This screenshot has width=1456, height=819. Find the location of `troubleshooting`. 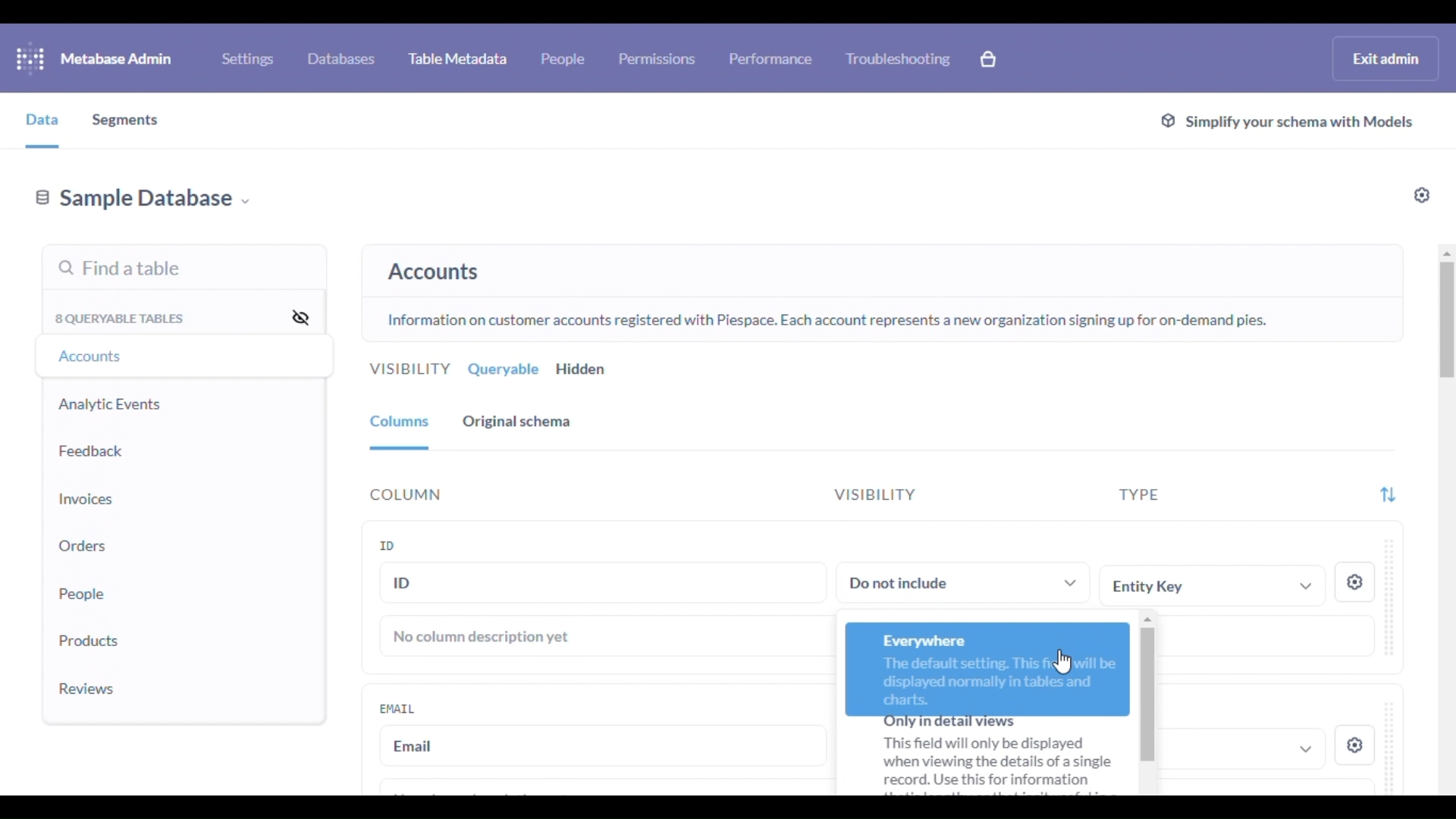

troubleshooting is located at coordinates (899, 58).